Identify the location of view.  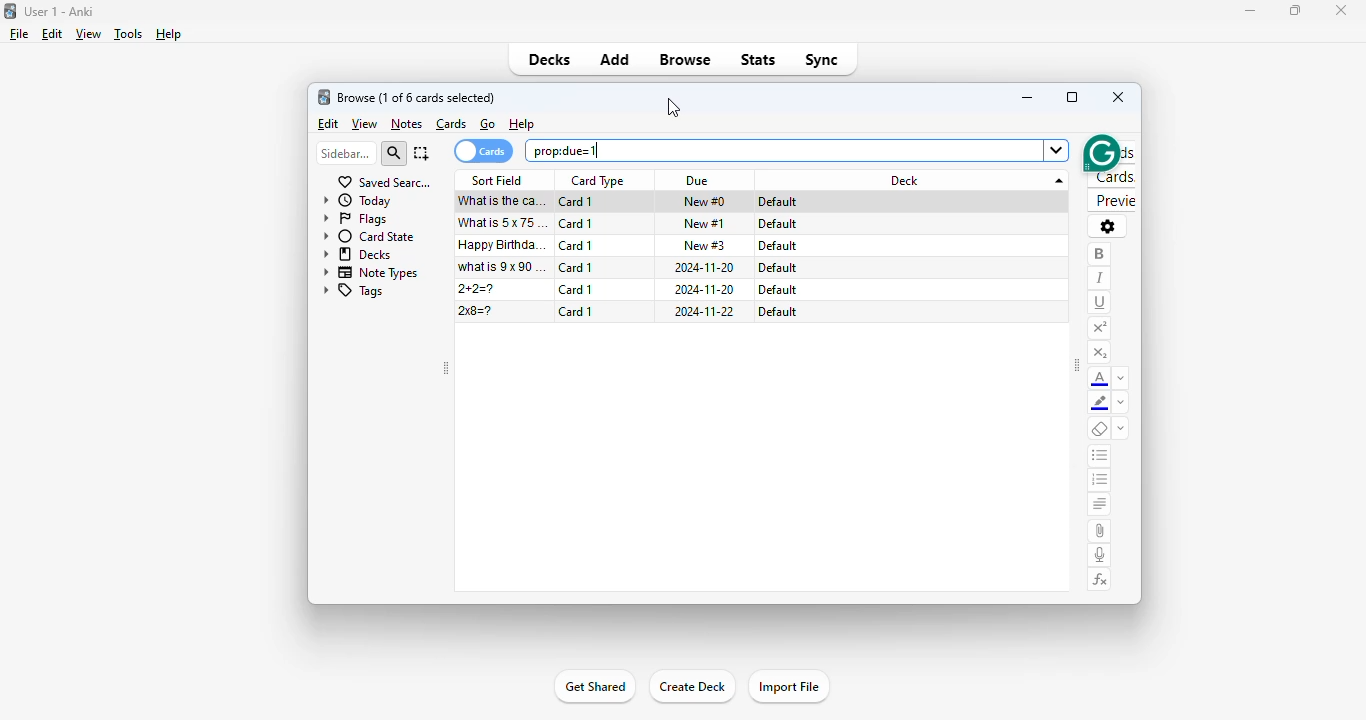
(365, 123).